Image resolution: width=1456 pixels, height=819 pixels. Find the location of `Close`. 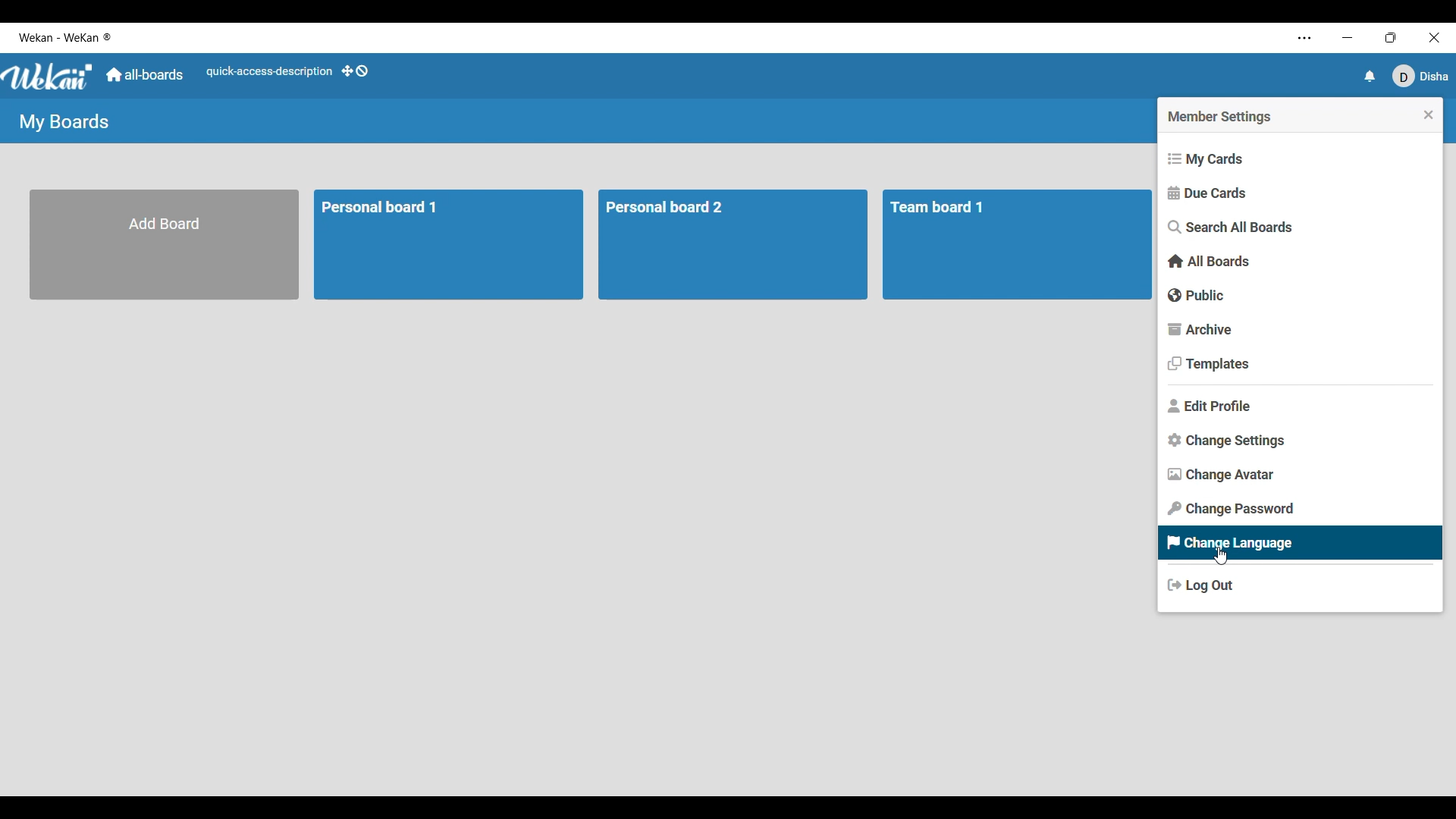

Close is located at coordinates (1429, 115).